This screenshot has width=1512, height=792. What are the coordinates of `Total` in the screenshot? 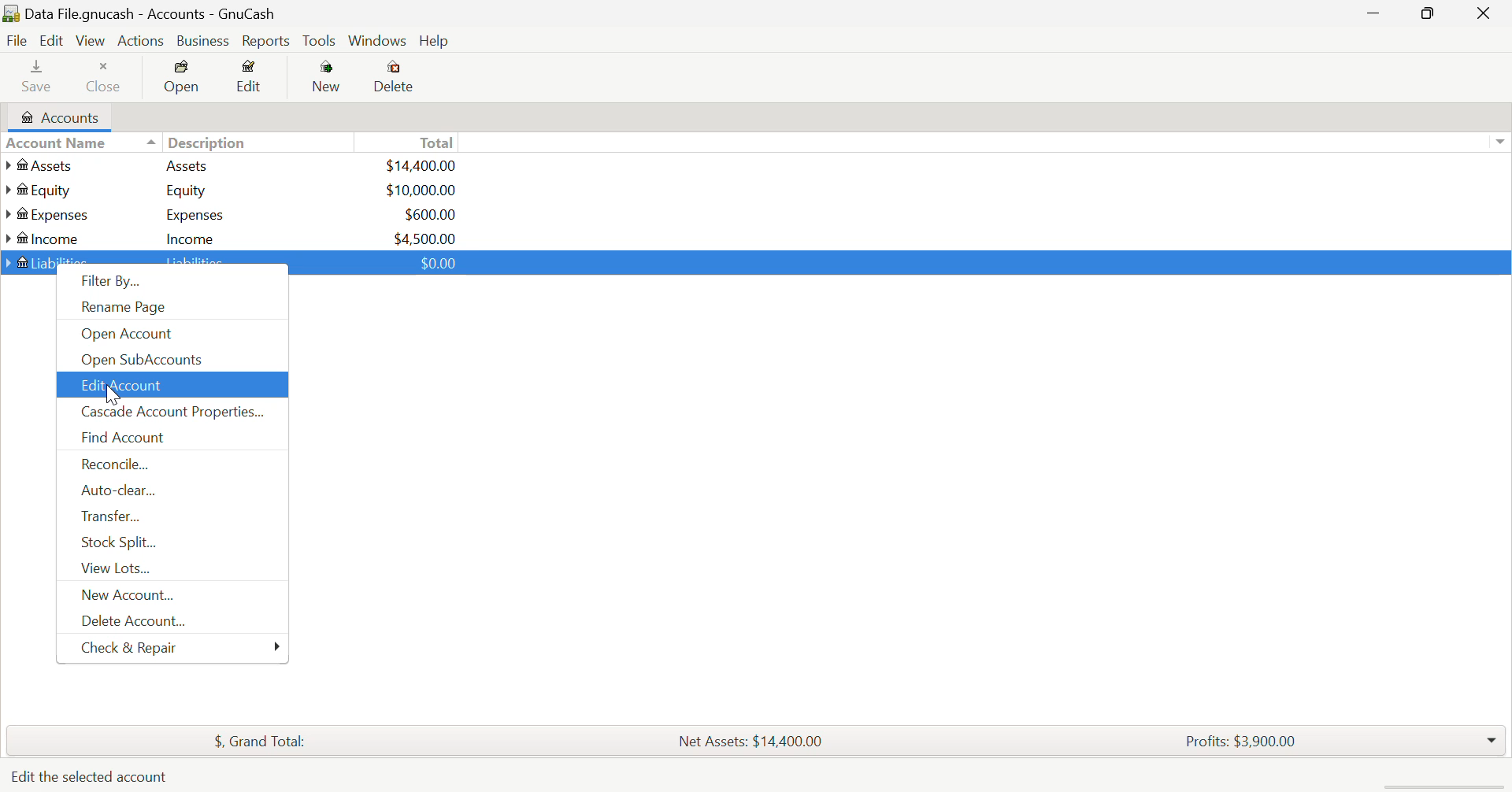 It's located at (439, 142).